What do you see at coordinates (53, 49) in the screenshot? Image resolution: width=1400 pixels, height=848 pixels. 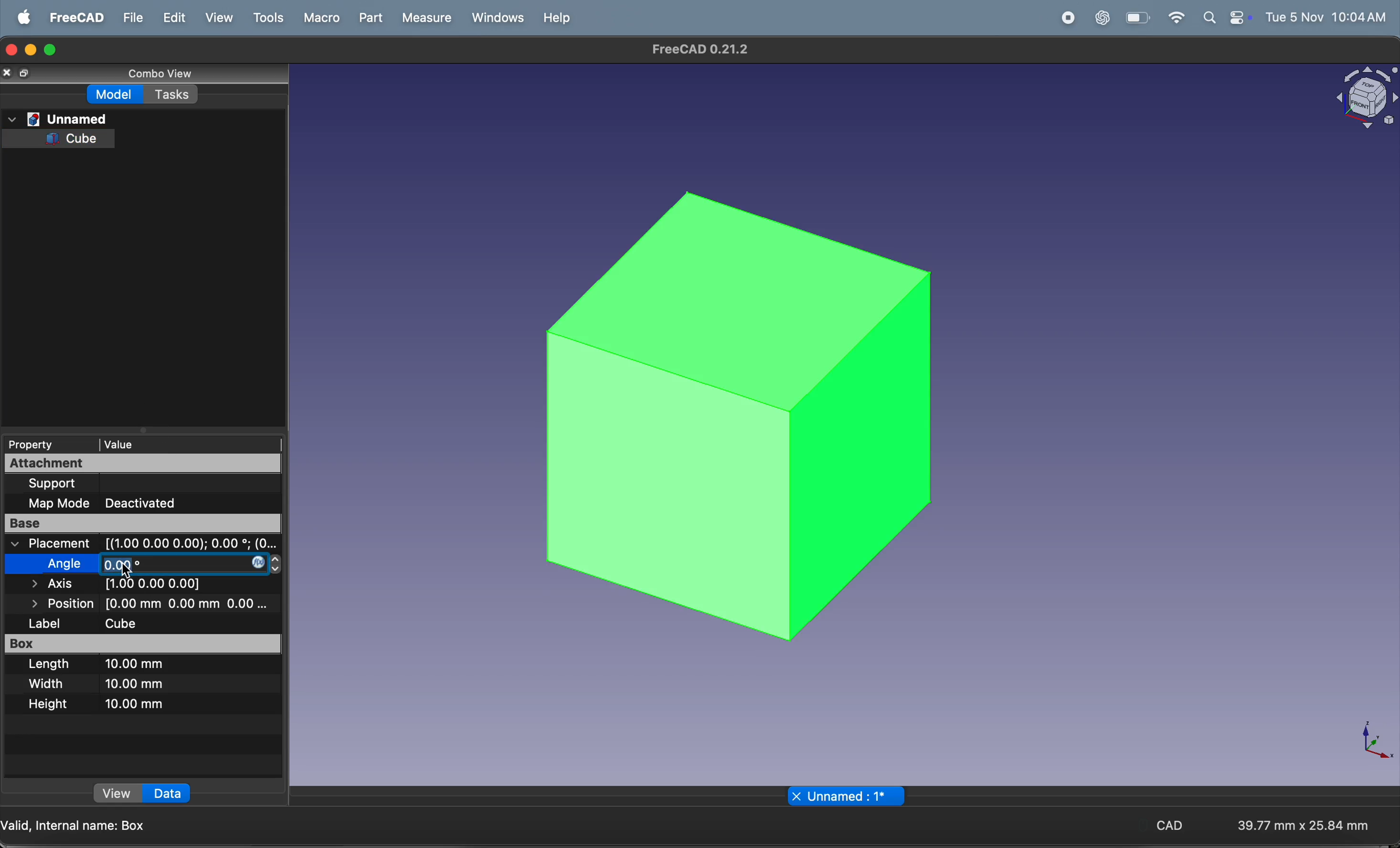 I see `maximize` at bounding box center [53, 49].